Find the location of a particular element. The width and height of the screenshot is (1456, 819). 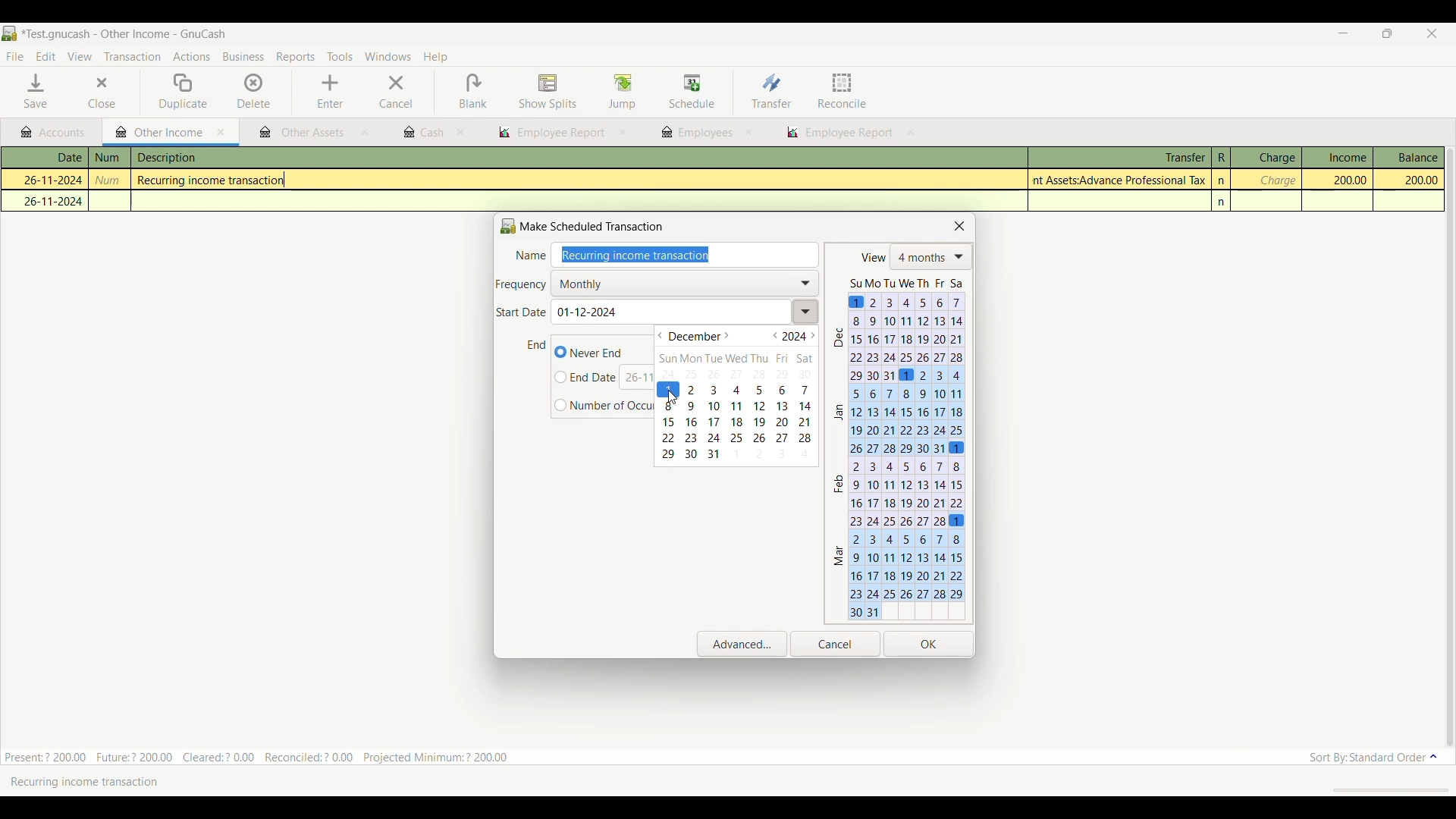

Go to previous year is located at coordinates (776, 335).